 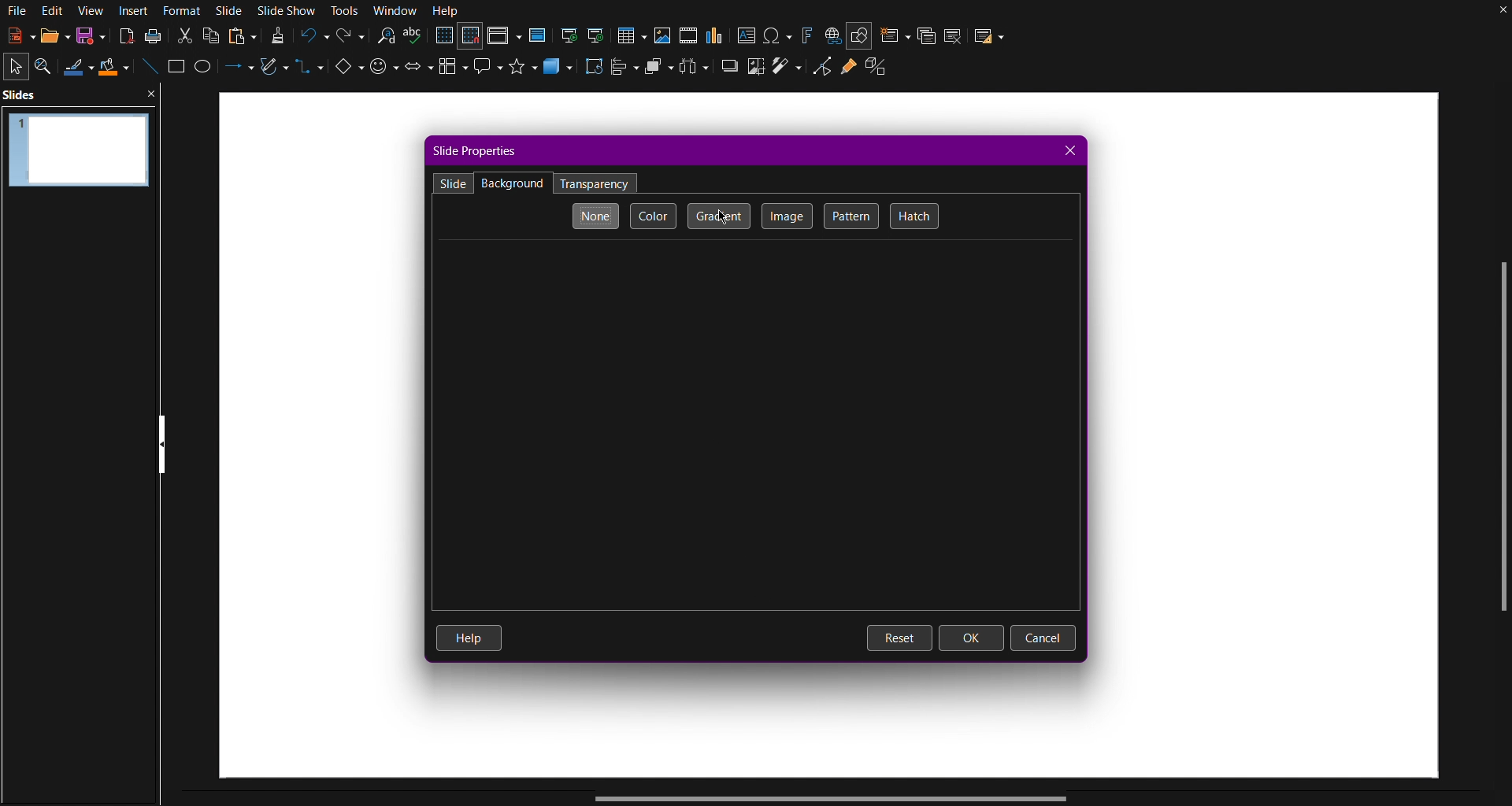 What do you see at coordinates (76, 147) in the screenshot?
I see `Slide 1` at bounding box center [76, 147].